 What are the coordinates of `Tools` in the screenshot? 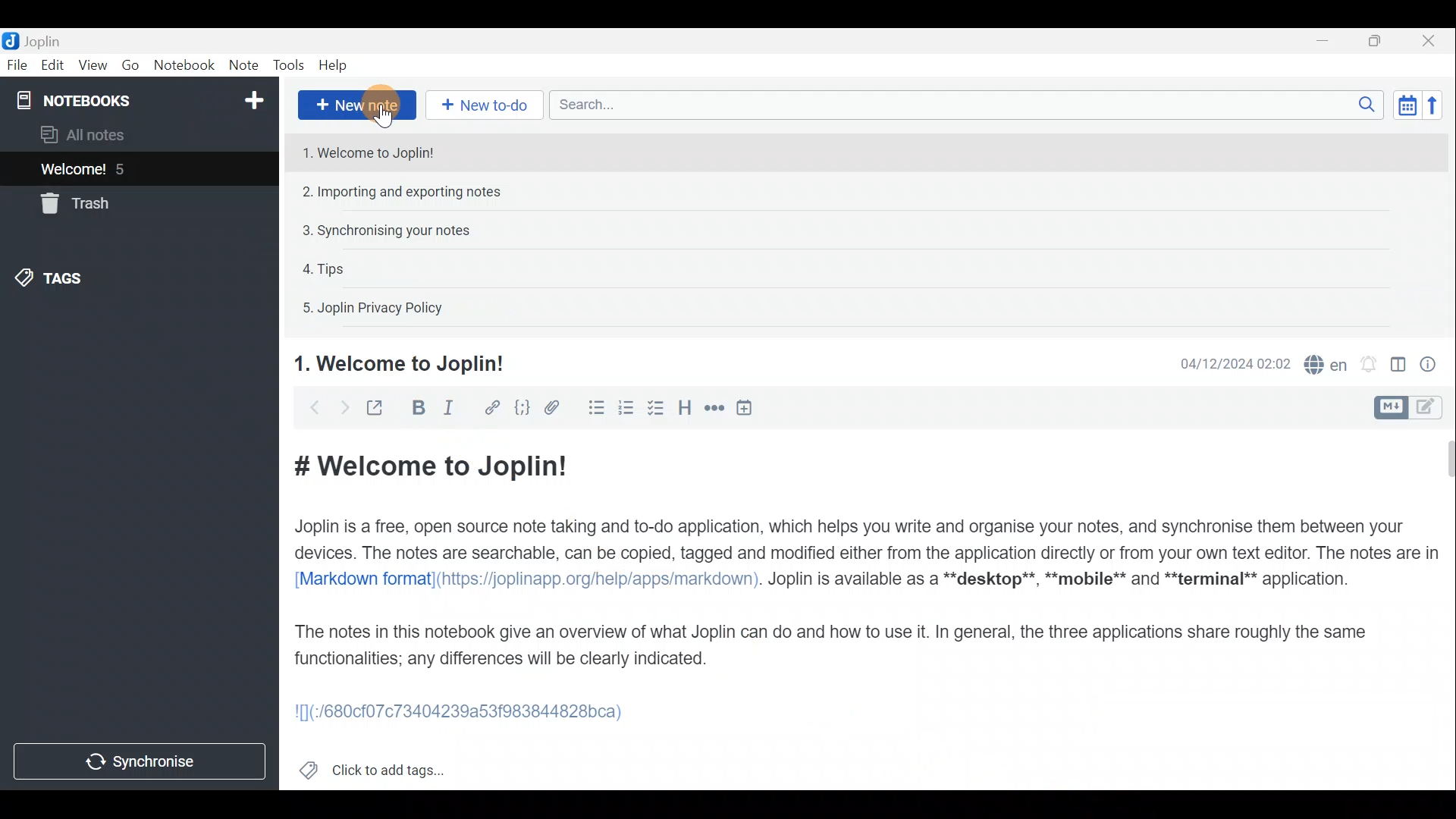 It's located at (284, 63).